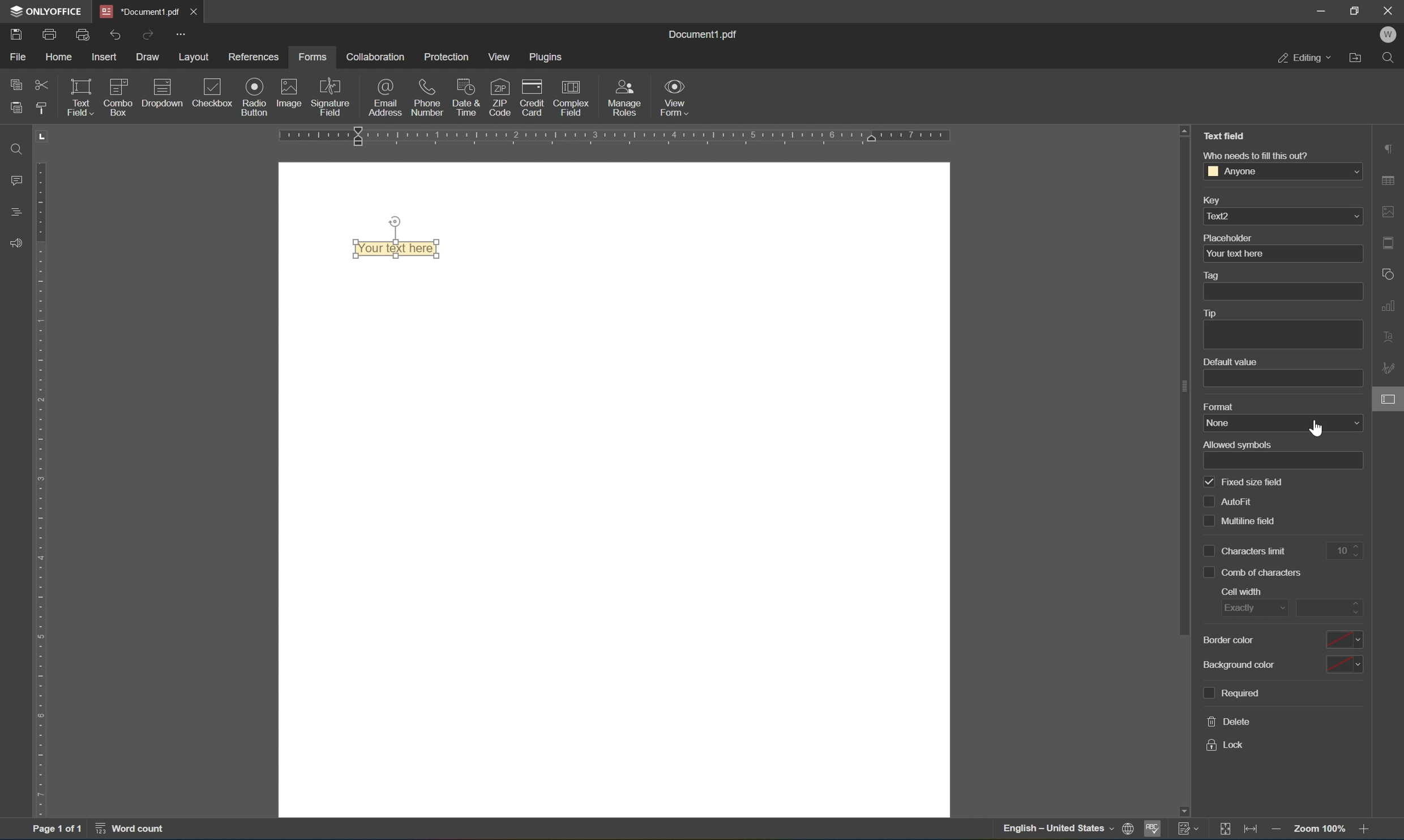 The image size is (1404, 840). Describe the element at coordinates (40, 111) in the screenshot. I see `copy style` at that location.